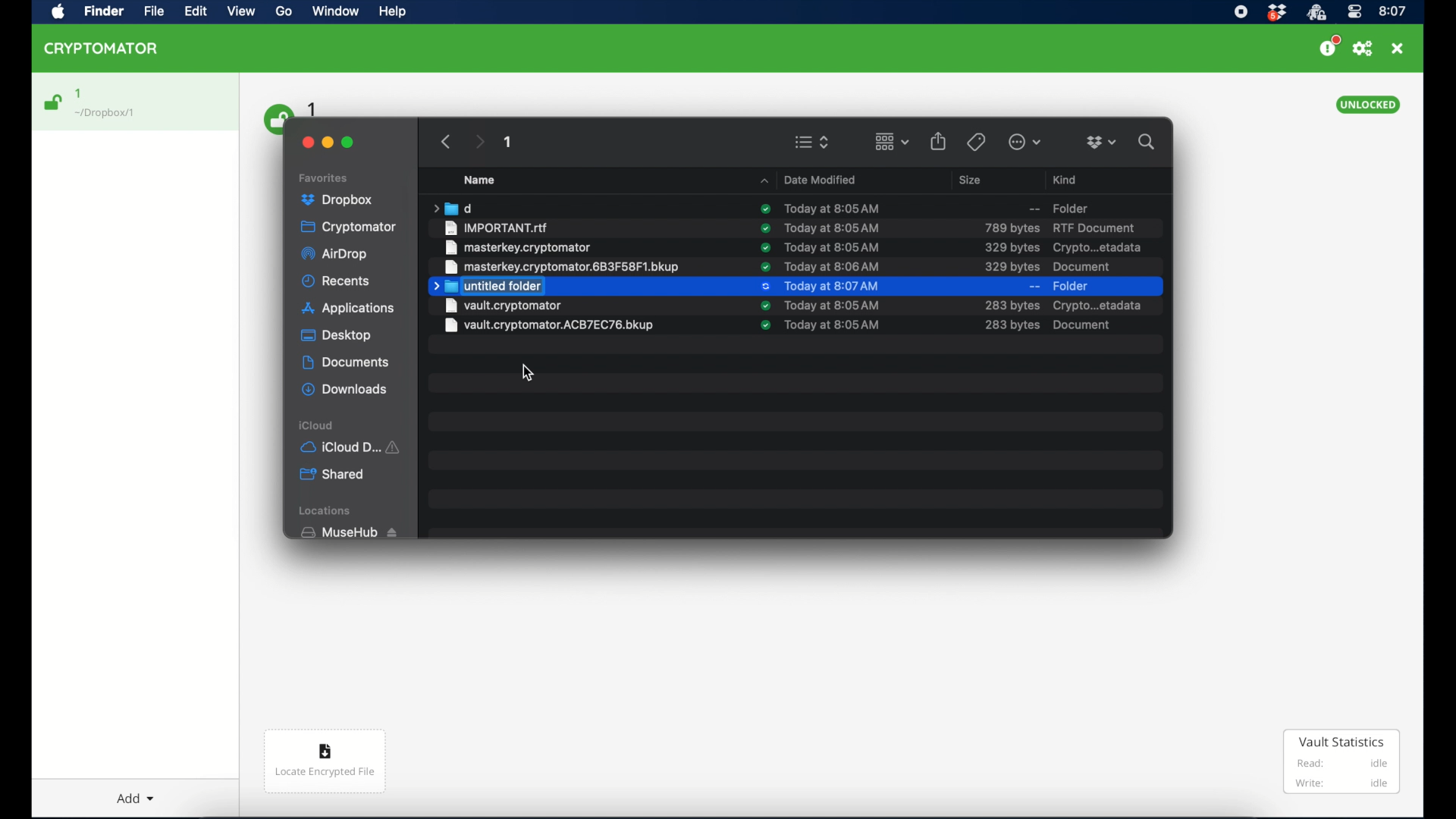 The image size is (1456, 819). Describe the element at coordinates (443, 141) in the screenshot. I see `backward` at that location.